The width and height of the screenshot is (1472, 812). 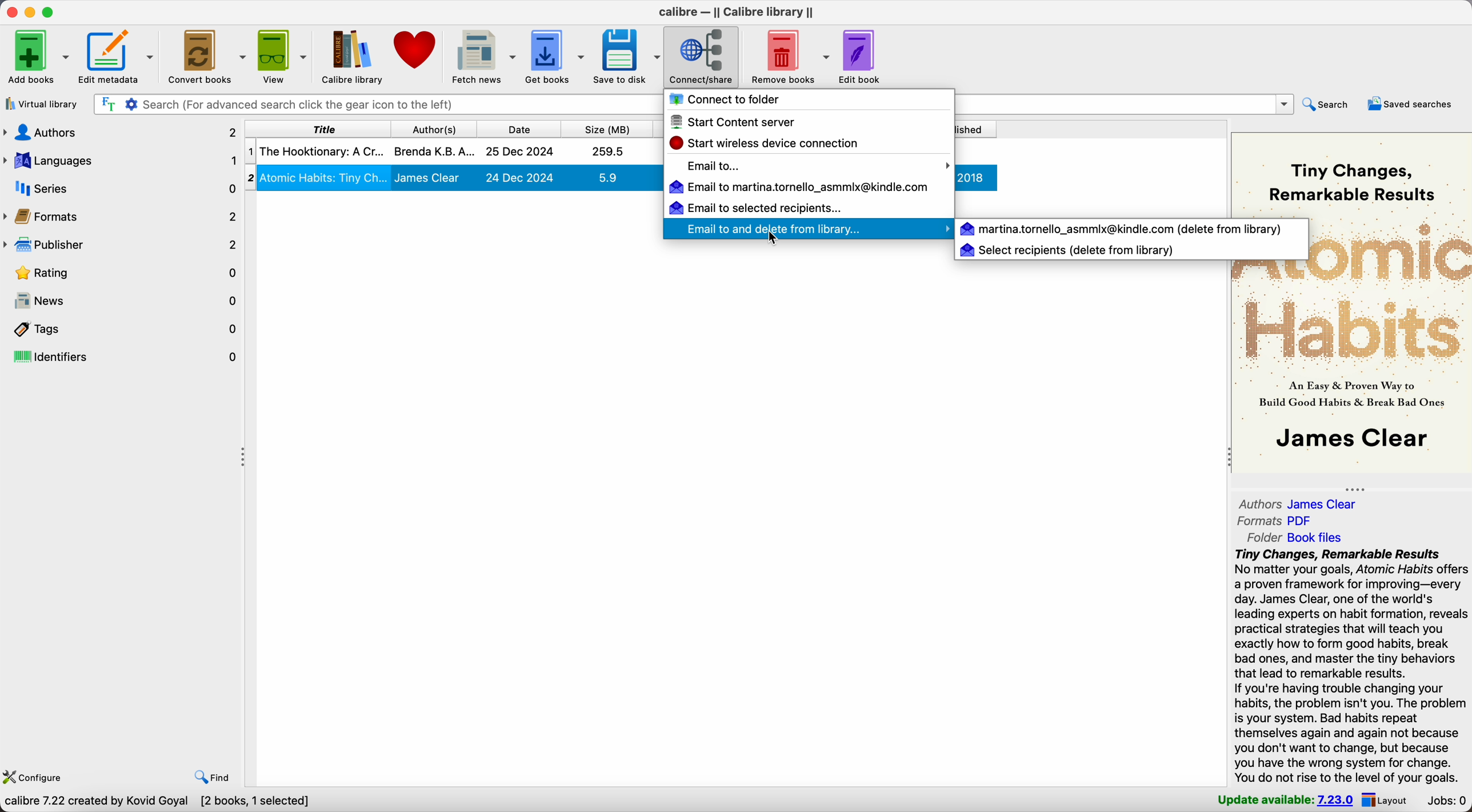 I want to click on formats, so click(x=1275, y=521).